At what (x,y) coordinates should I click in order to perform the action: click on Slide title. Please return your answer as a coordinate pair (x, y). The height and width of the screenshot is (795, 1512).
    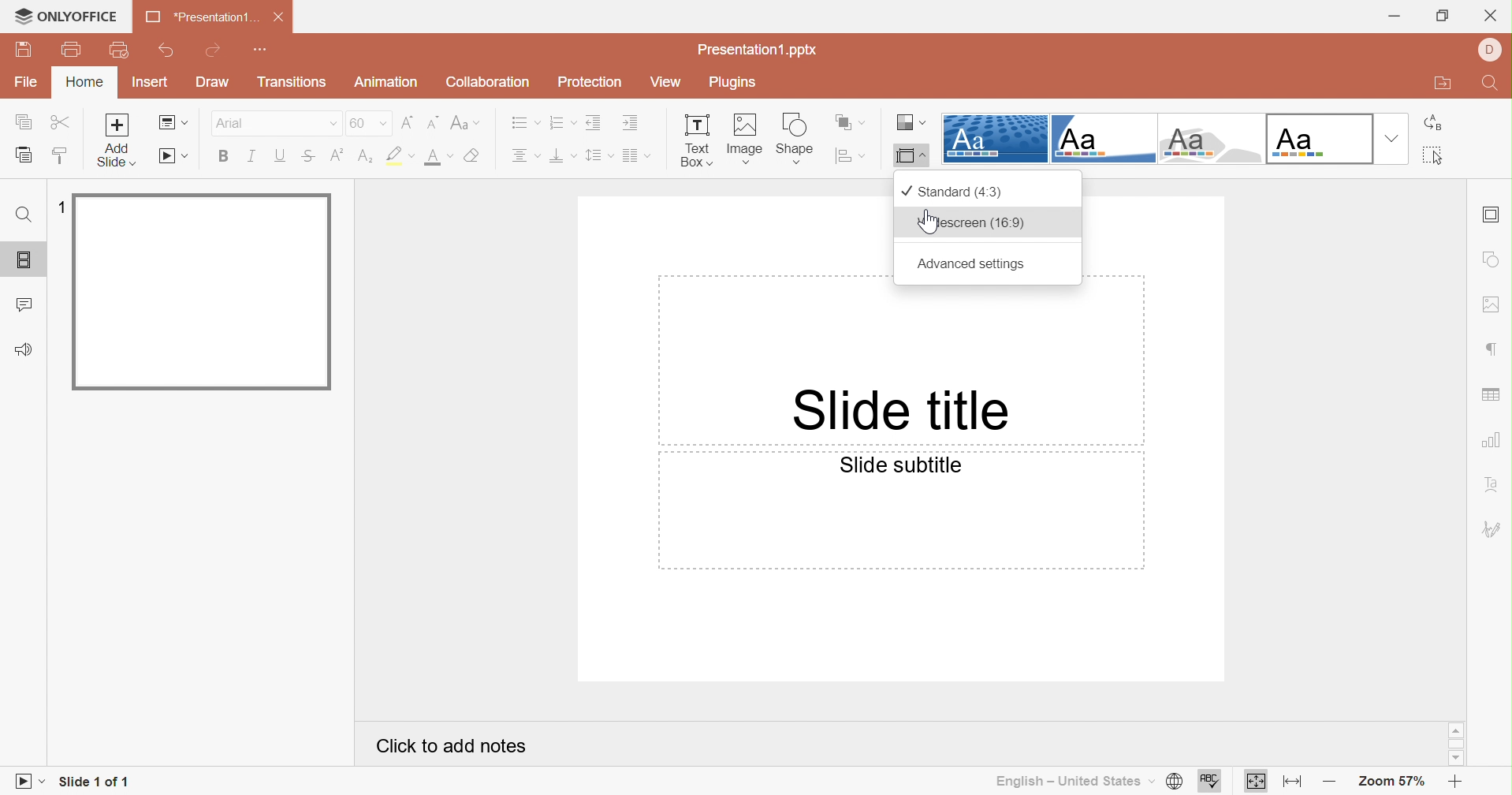
    Looking at the image, I should click on (897, 412).